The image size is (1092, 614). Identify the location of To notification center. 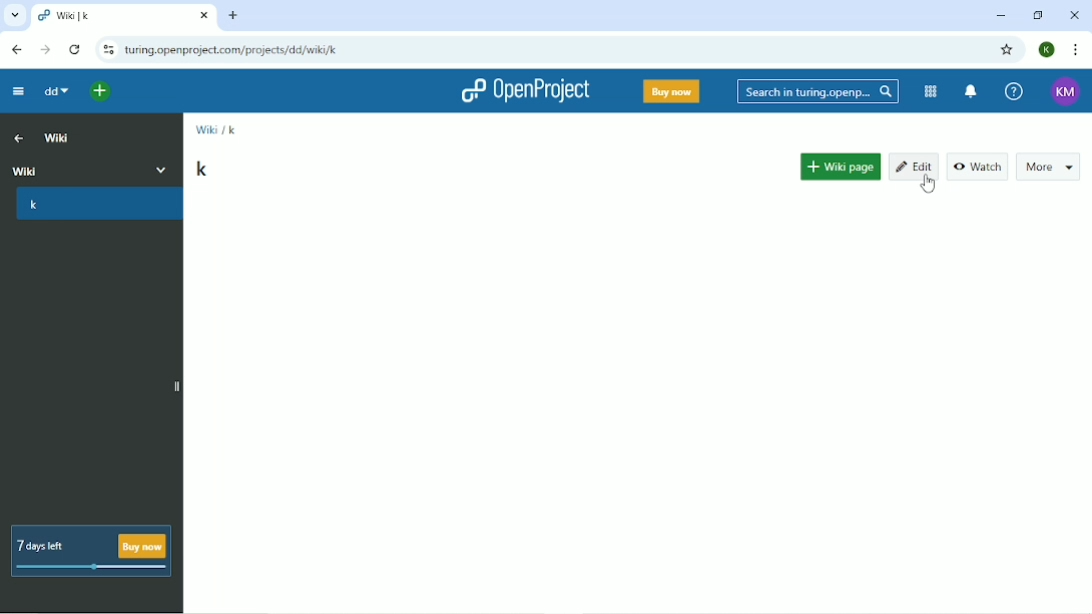
(971, 91).